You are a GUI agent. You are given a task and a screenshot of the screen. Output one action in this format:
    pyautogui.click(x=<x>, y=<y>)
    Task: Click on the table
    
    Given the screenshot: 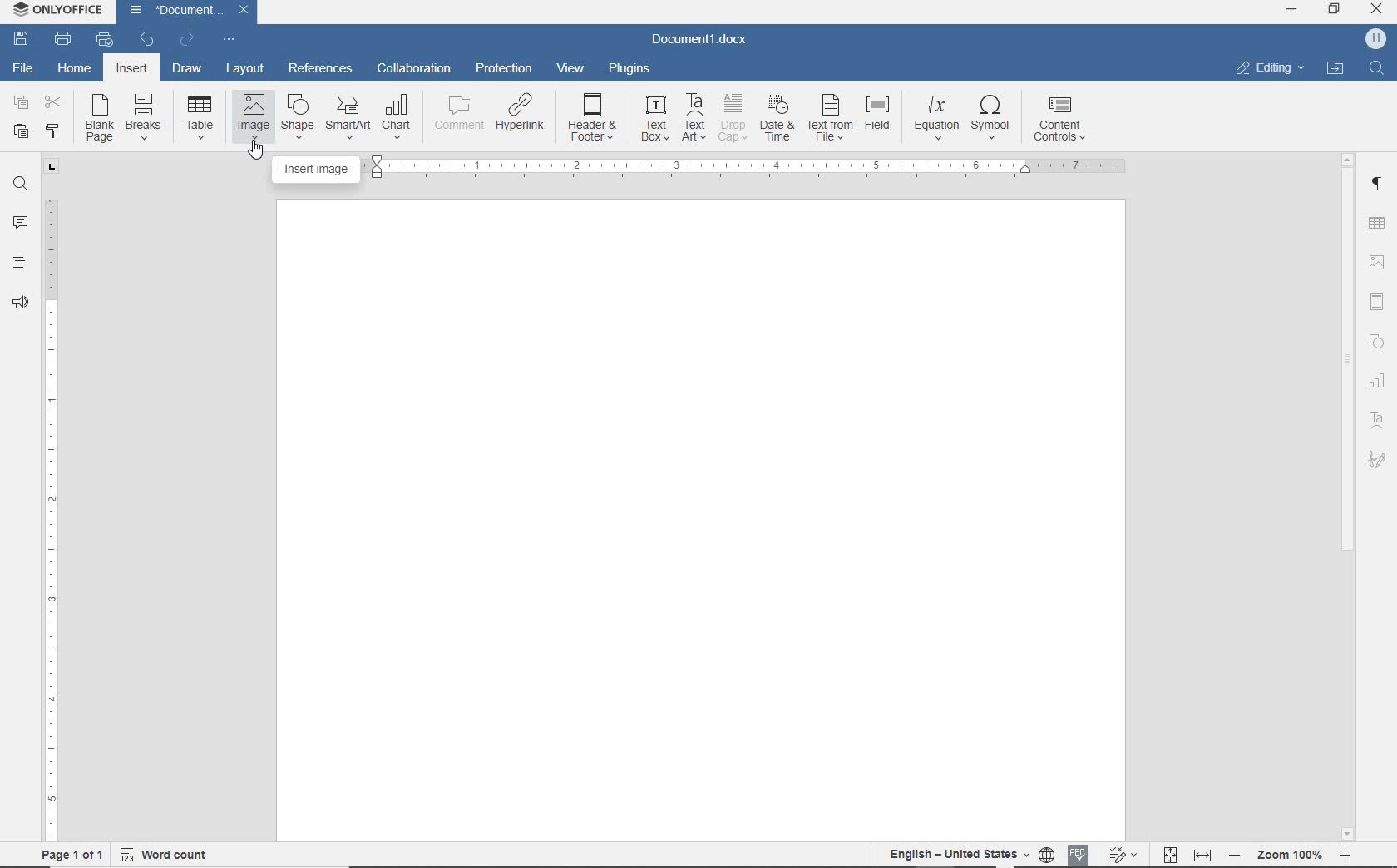 What is the action you would take?
    pyautogui.click(x=1380, y=221)
    